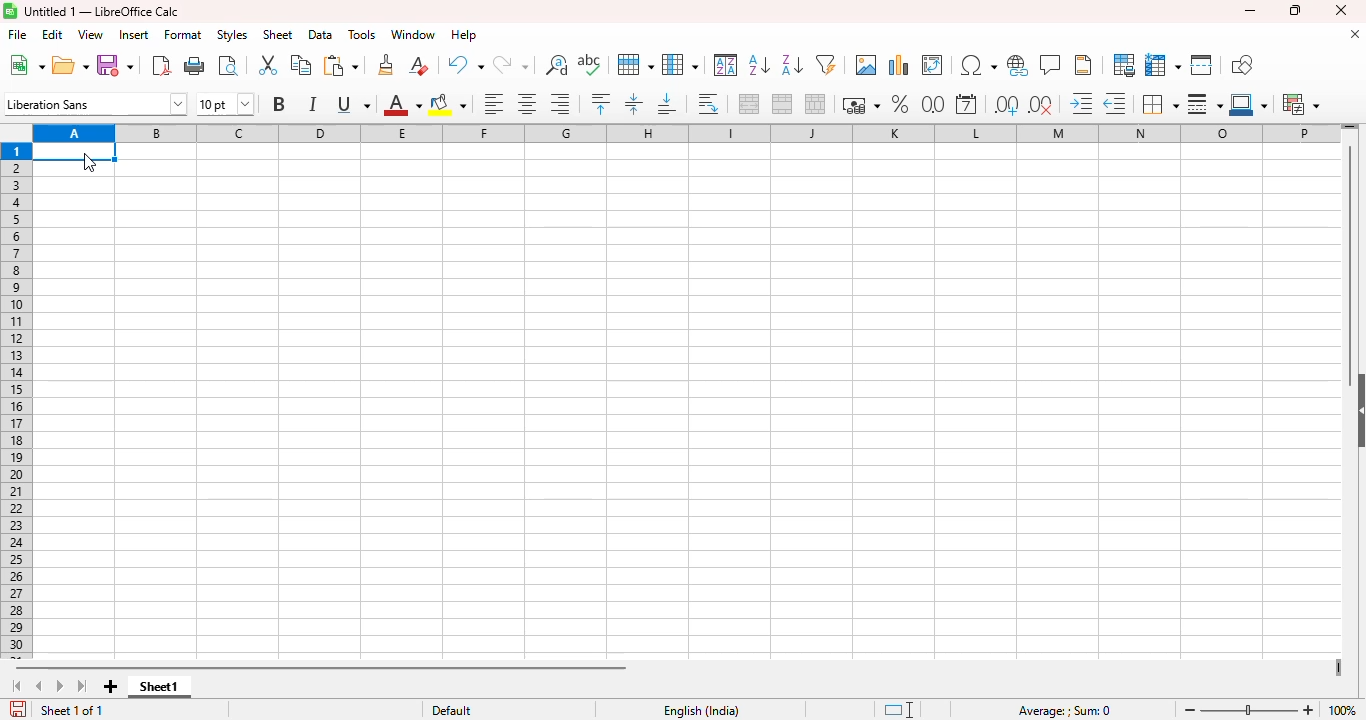 Image resolution: width=1366 pixels, height=720 pixels. Describe the element at coordinates (278, 34) in the screenshot. I see `sheet` at that location.